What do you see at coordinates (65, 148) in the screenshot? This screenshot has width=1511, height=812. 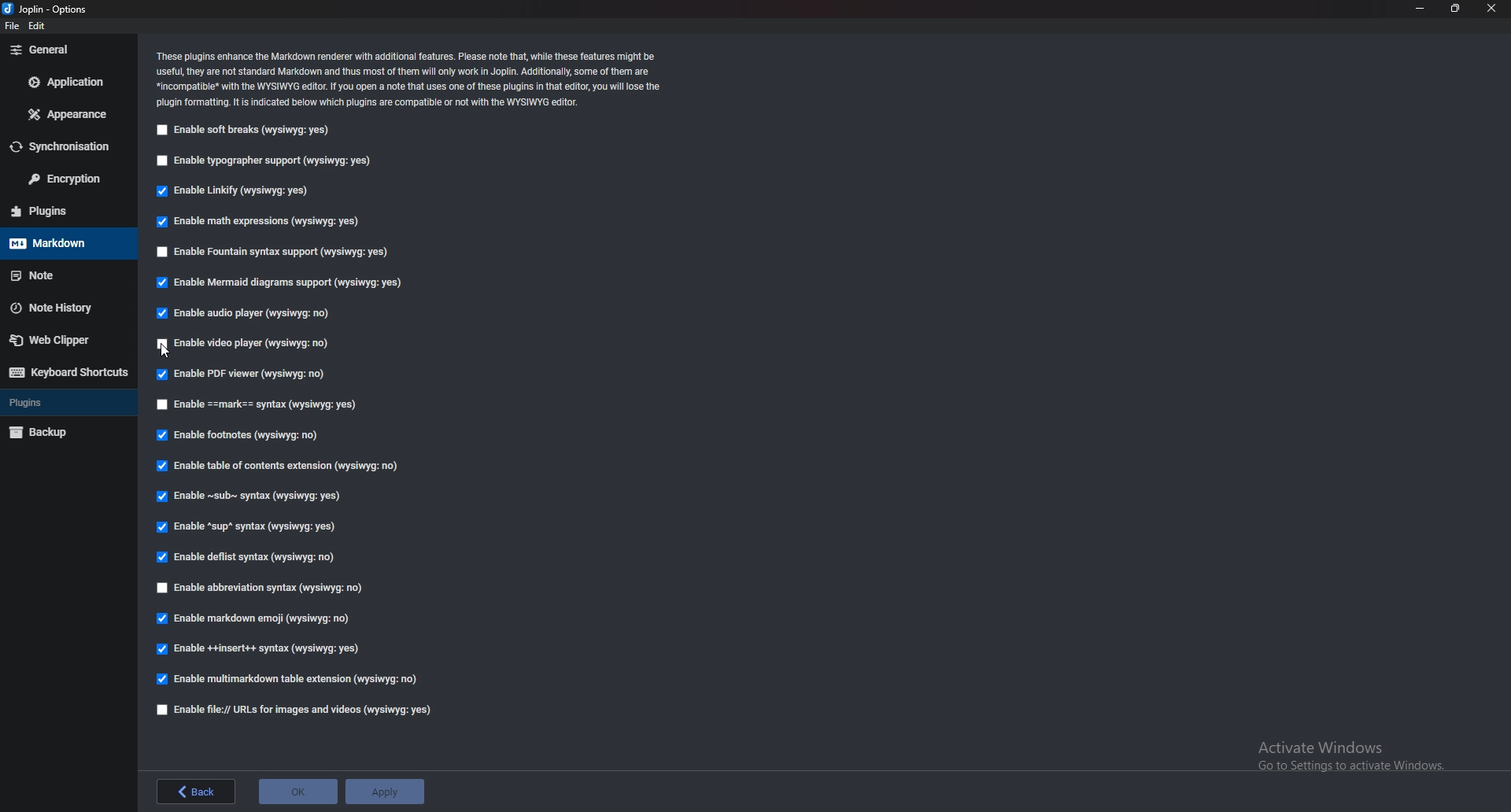 I see `Synchronization` at bounding box center [65, 148].